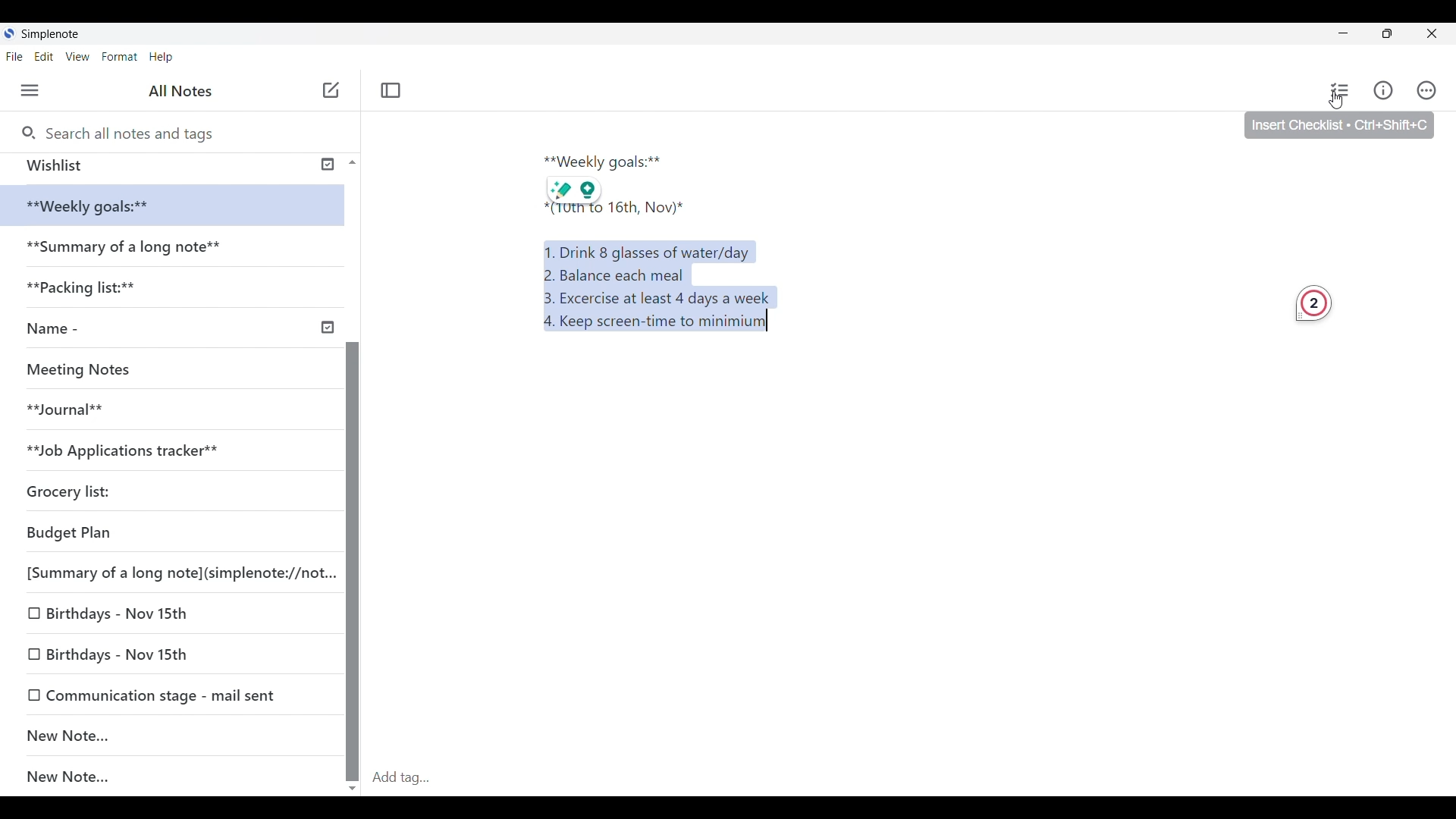 The width and height of the screenshot is (1456, 819). Describe the element at coordinates (153, 616) in the screenshot. I see `Birthdays - Nov 15th` at that location.